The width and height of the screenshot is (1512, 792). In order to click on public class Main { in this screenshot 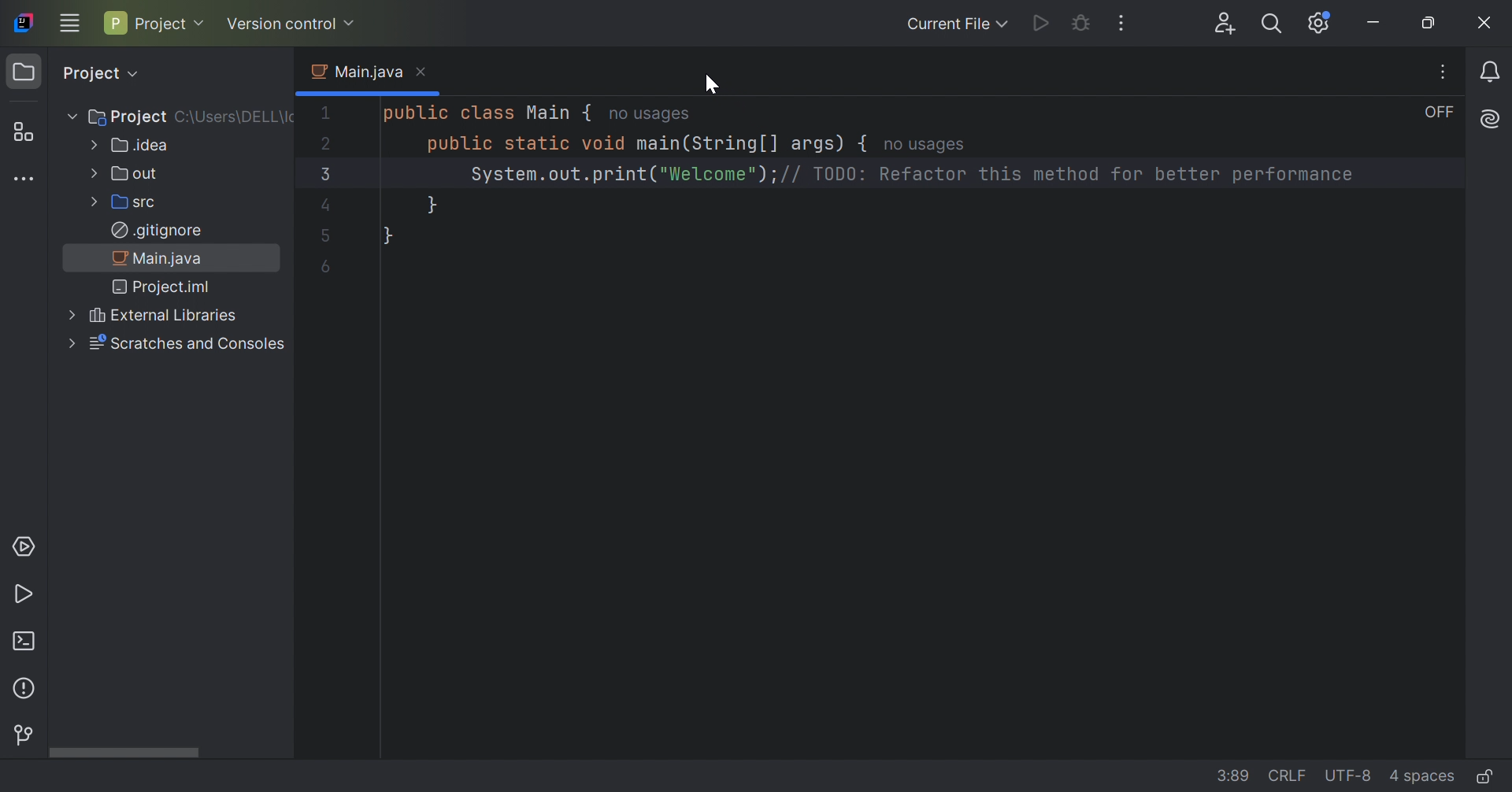, I will do `click(483, 113)`.